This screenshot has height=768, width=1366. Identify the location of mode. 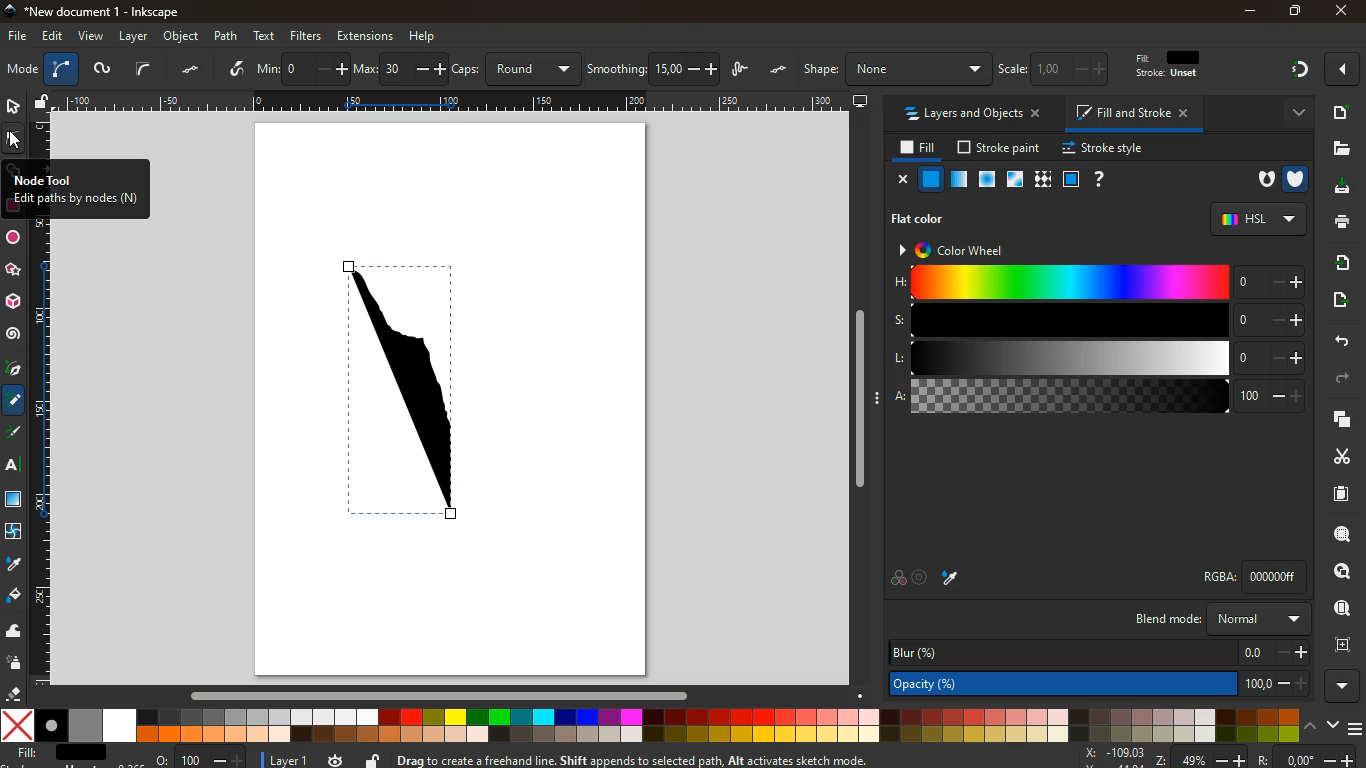
(24, 69).